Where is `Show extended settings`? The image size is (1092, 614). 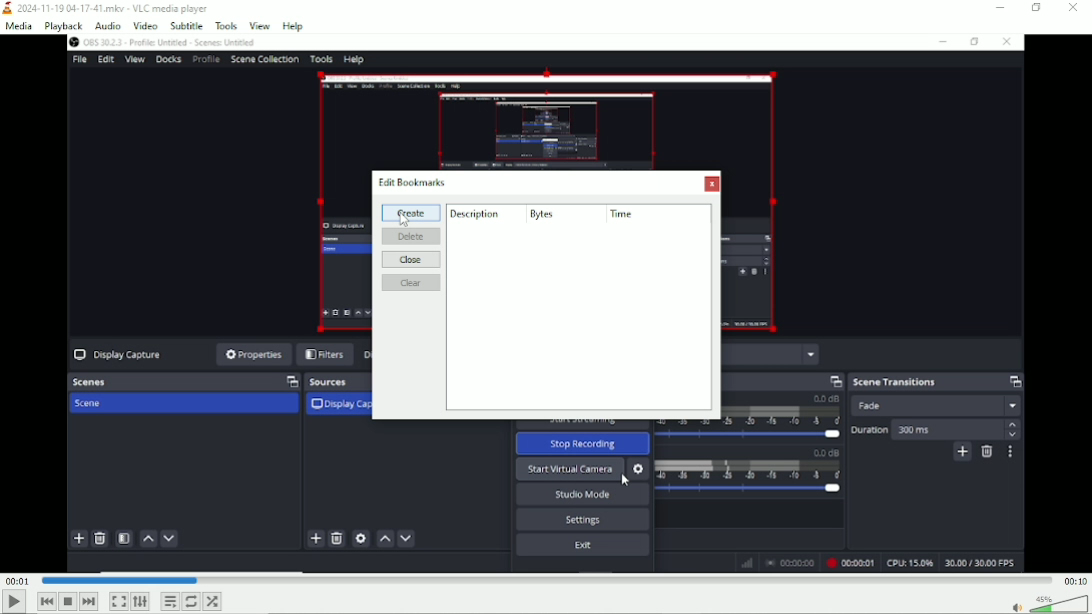
Show extended settings is located at coordinates (141, 602).